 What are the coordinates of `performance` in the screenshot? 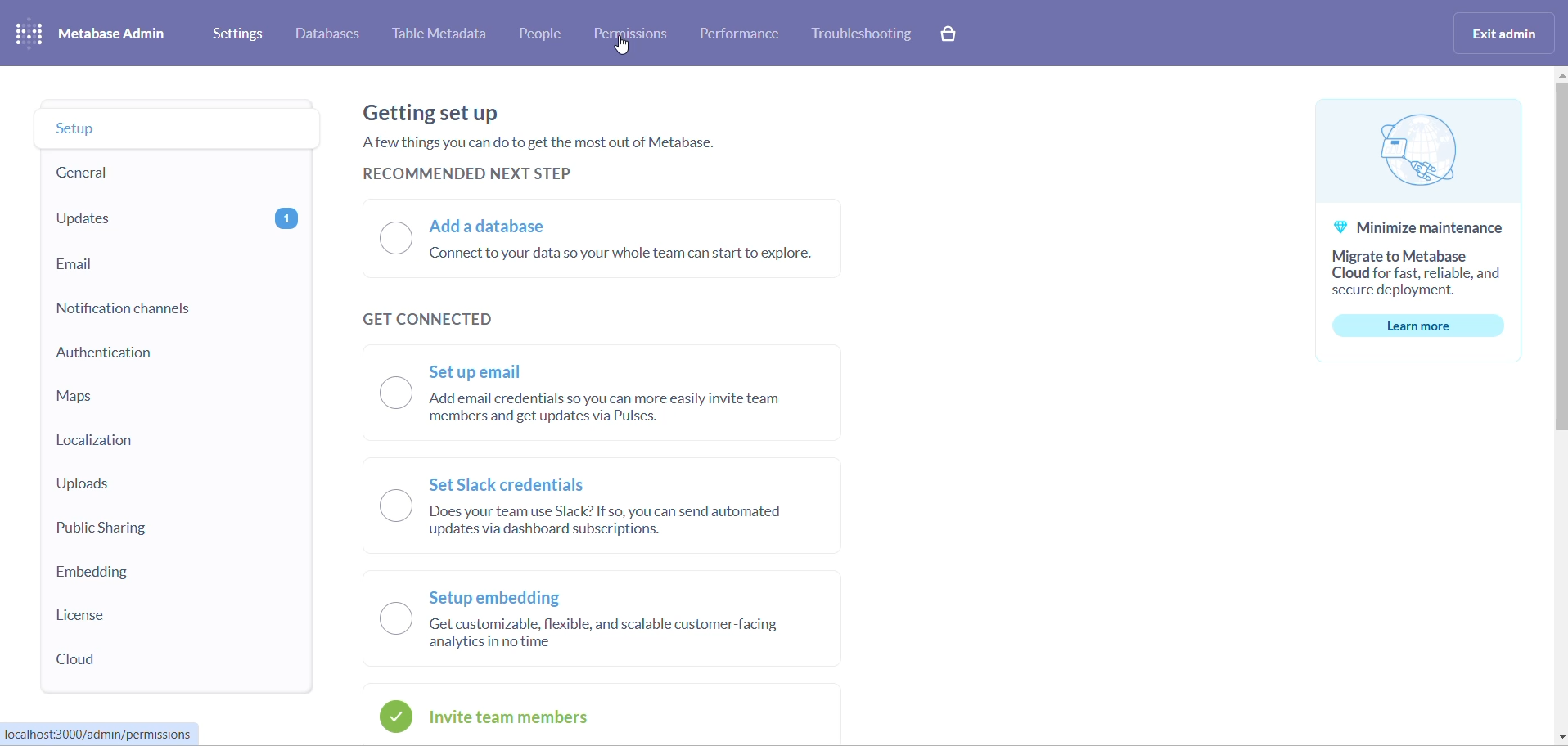 It's located at (742, 38).